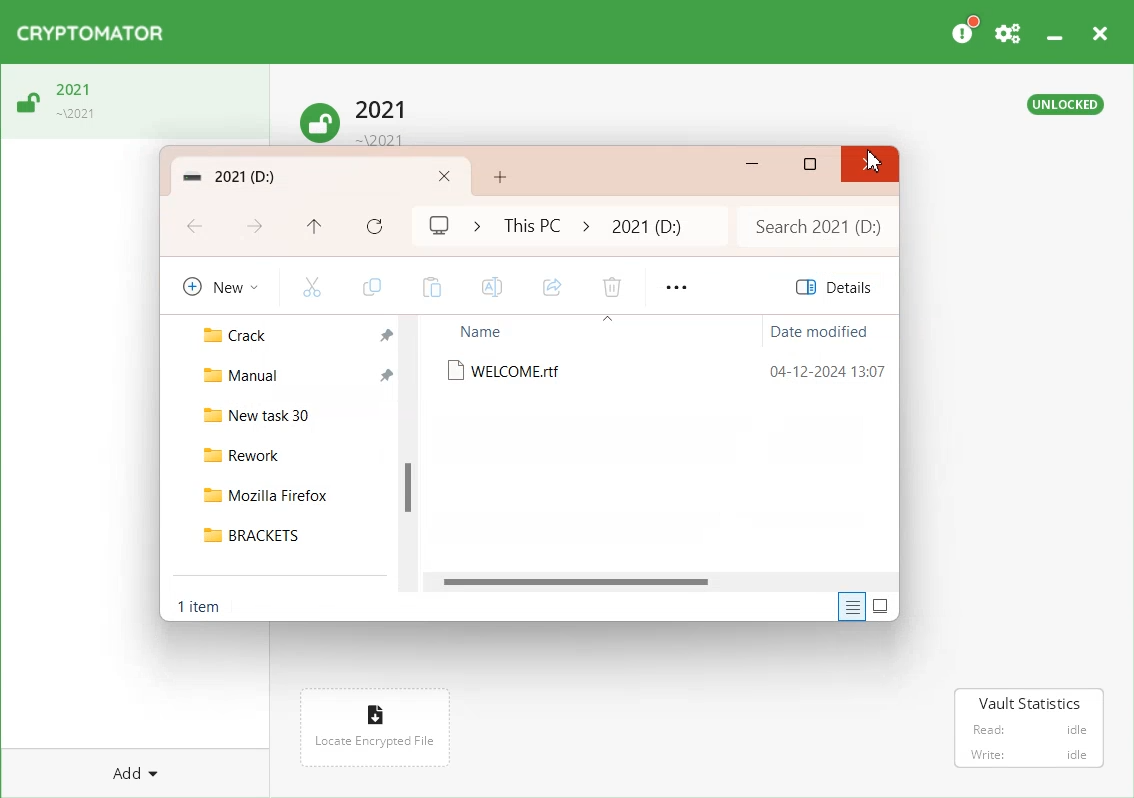 This screenshot has width=1134, height=798. What do you see at coordinates (57, 97) in the screenshot?
I see `Unlock Vault` at bounding box center [57, 97].